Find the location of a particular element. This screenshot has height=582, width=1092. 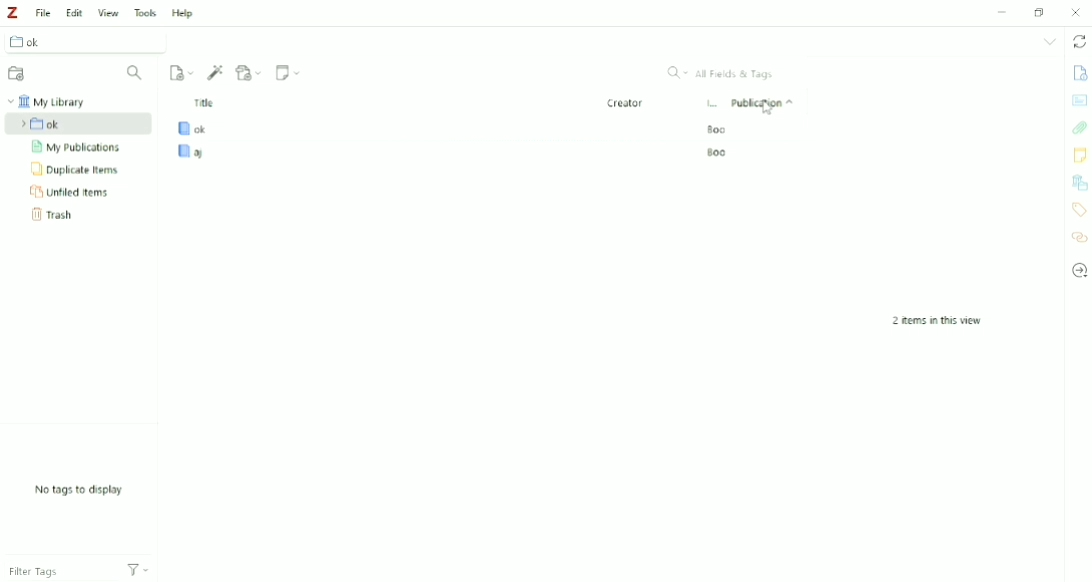

Filter Tags is located at coordinates (41, 568).